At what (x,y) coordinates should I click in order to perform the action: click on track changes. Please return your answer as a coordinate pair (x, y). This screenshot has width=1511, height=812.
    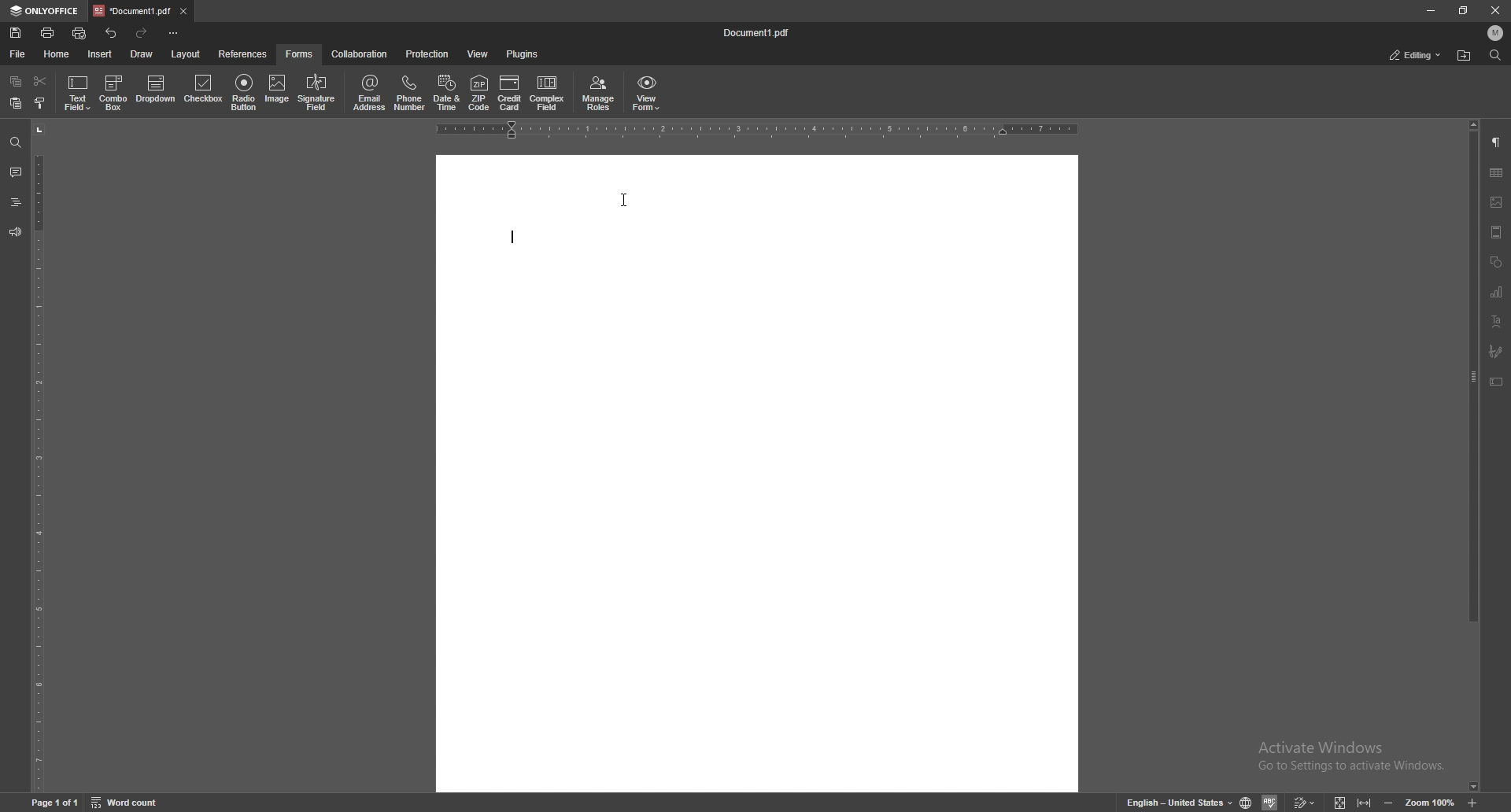
    Looking at the image, I should click on (1305, 802).